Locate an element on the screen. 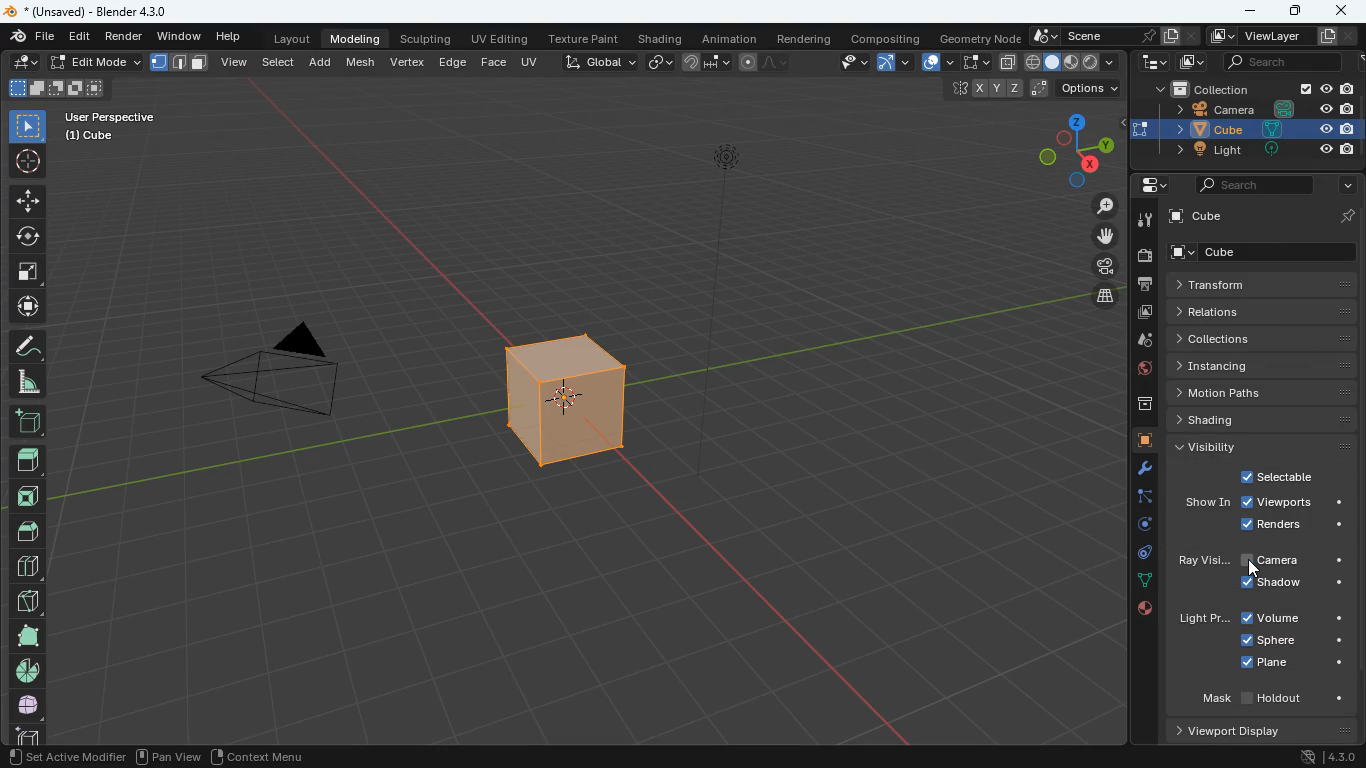 This screenshot has width=1366, height=768. view is located at coordinates (235, 63).